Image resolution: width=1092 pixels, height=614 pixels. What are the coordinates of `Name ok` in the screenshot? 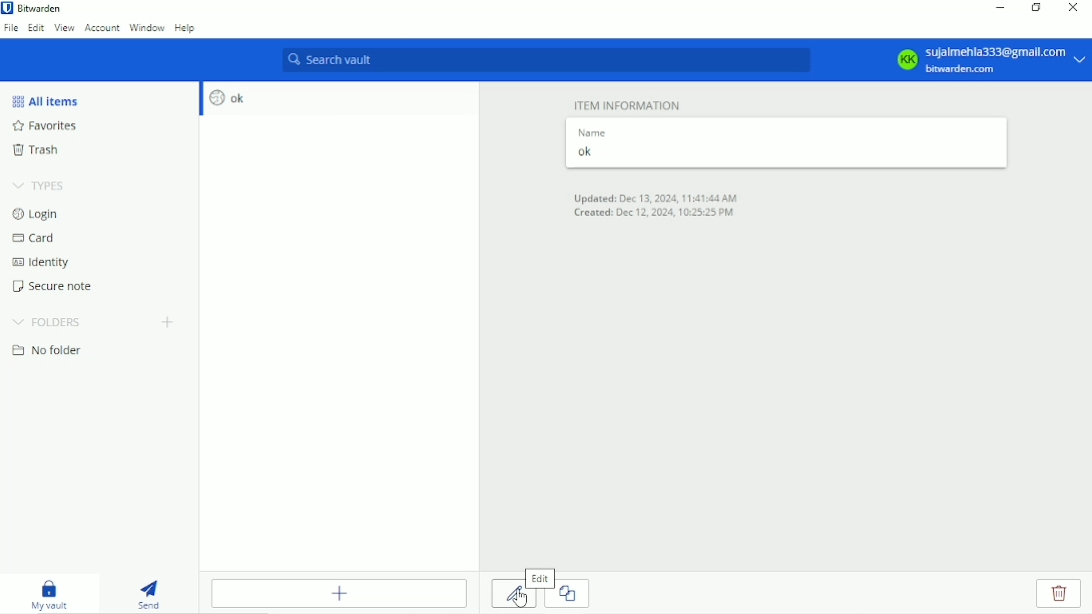 It's located at (787, 143).